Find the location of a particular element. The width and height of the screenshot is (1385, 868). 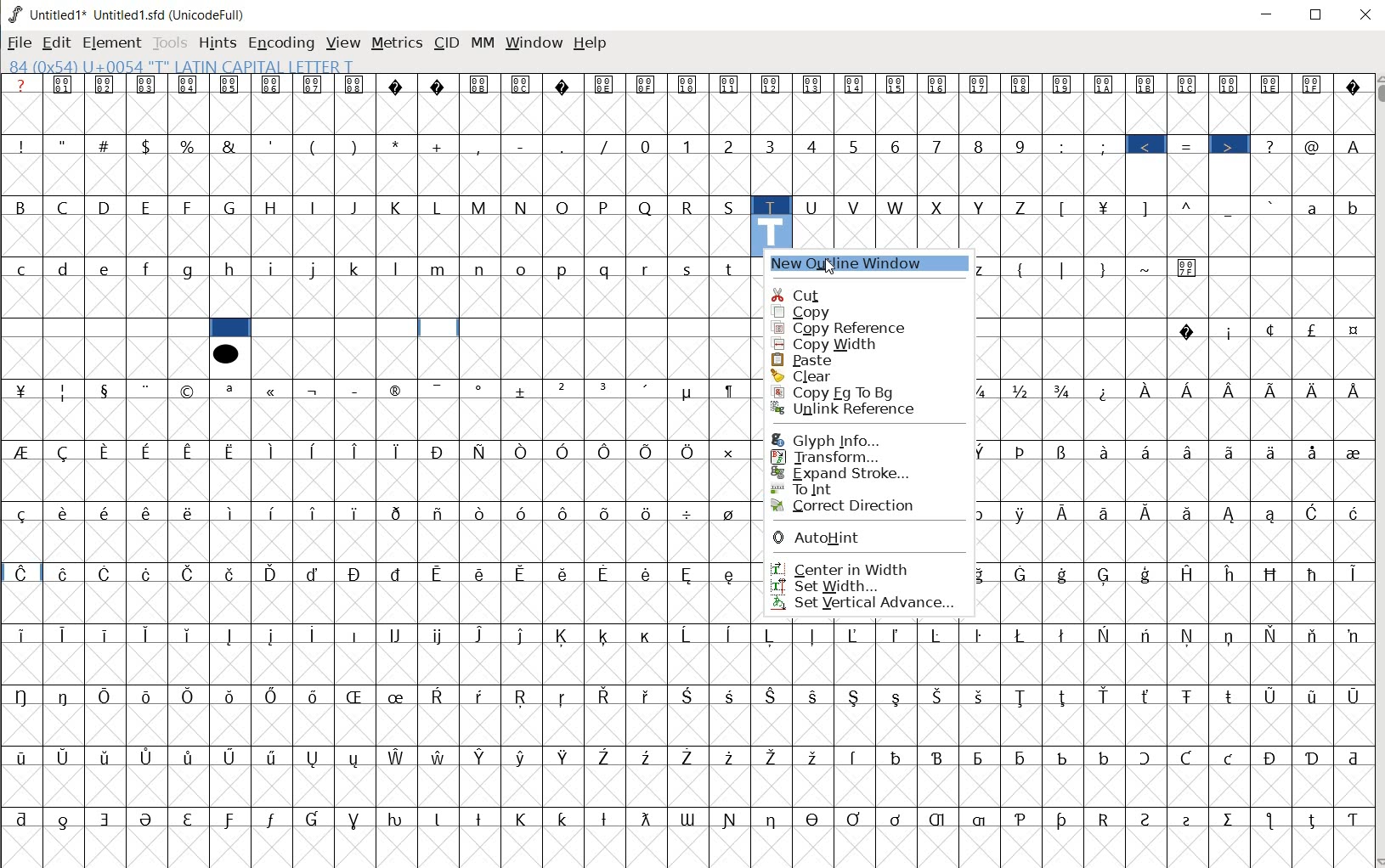

empty spaces is located at coordinates (1071, 327).